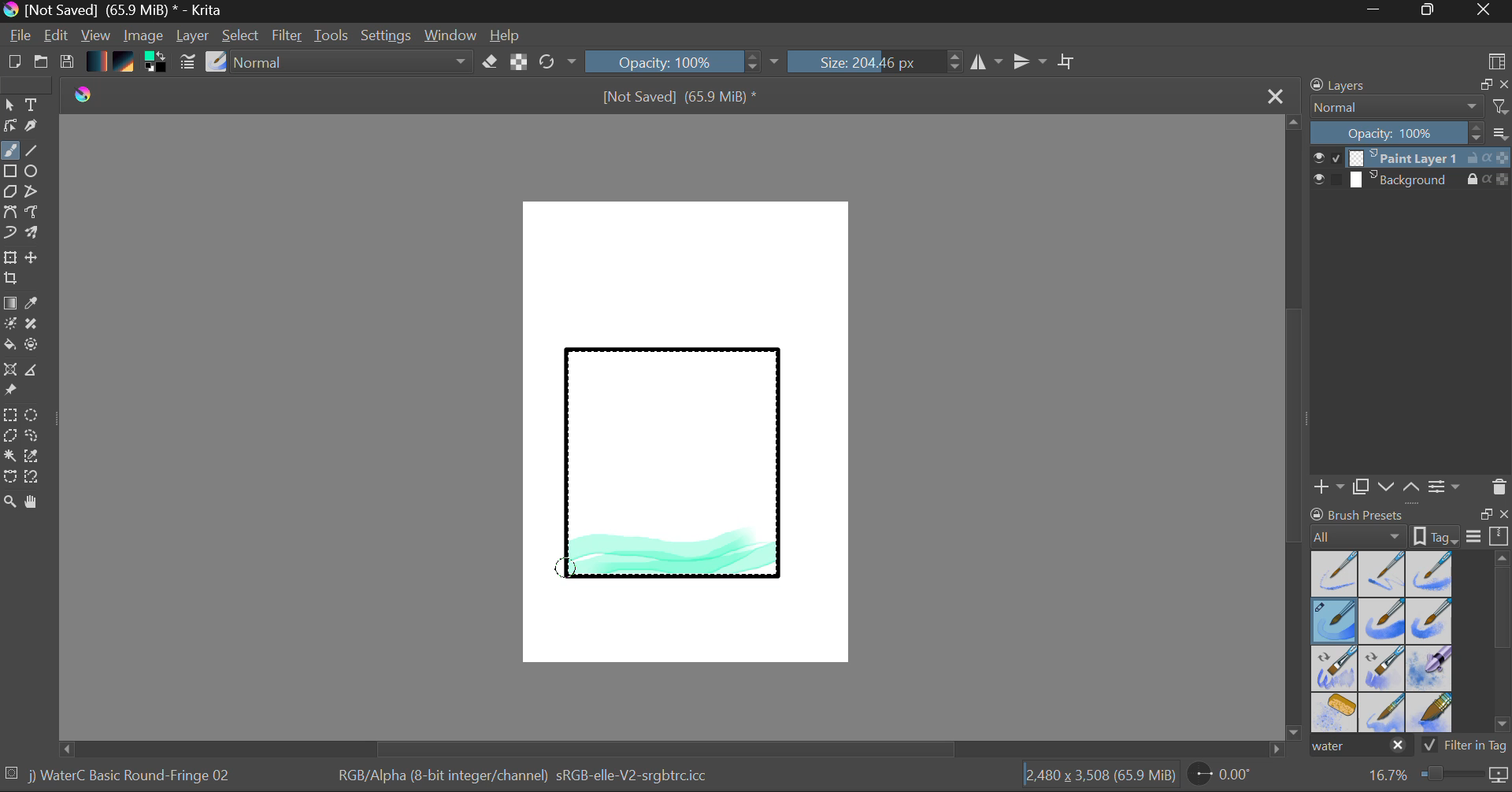 This screenshot has width=1512, height=792. Describe the element at coordinates (1429, 574) in the screenshot. I see `Water C - Wet Pattern` at that location.